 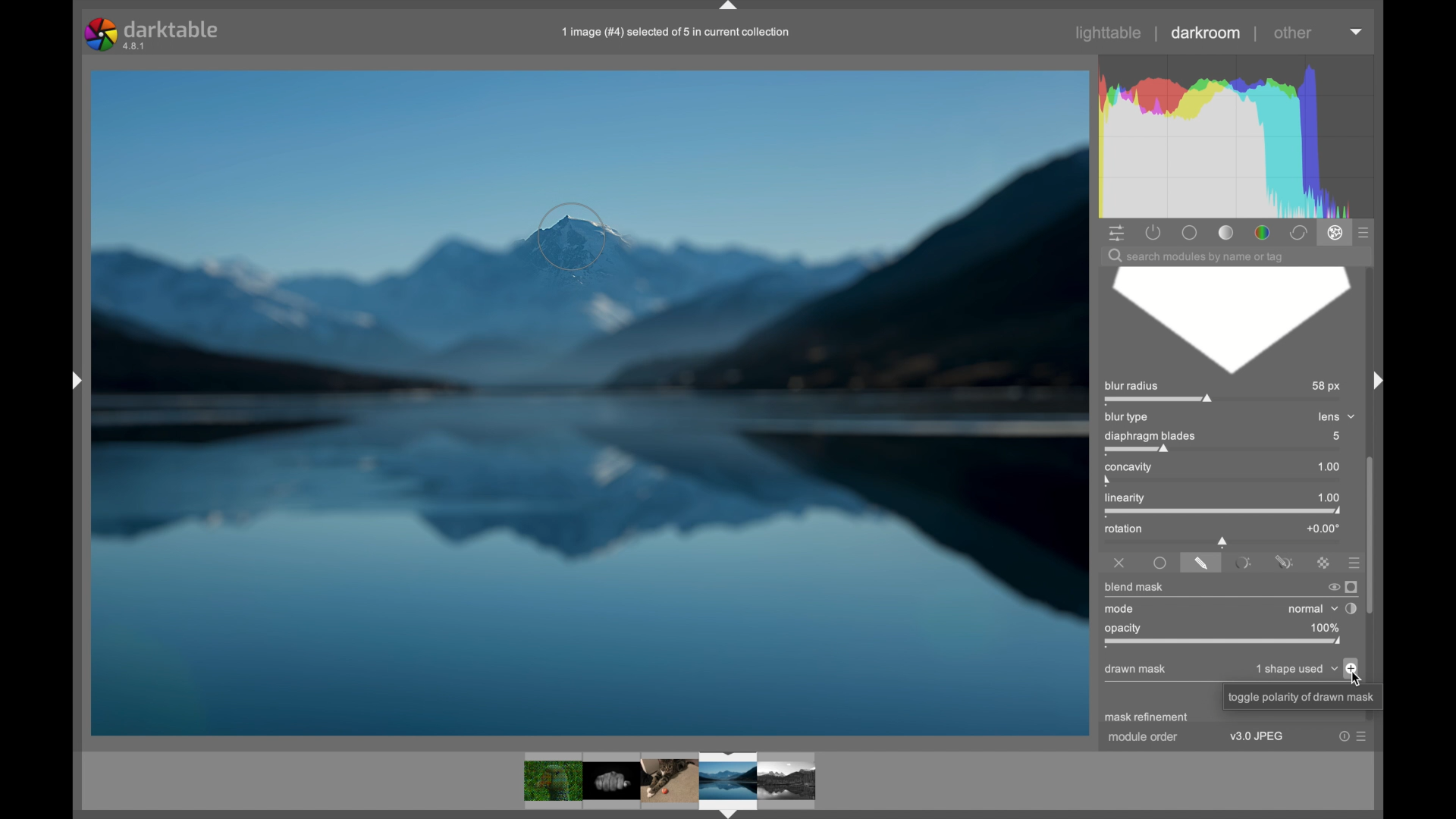 I want to click on lens, so click(x=1335, y=416).